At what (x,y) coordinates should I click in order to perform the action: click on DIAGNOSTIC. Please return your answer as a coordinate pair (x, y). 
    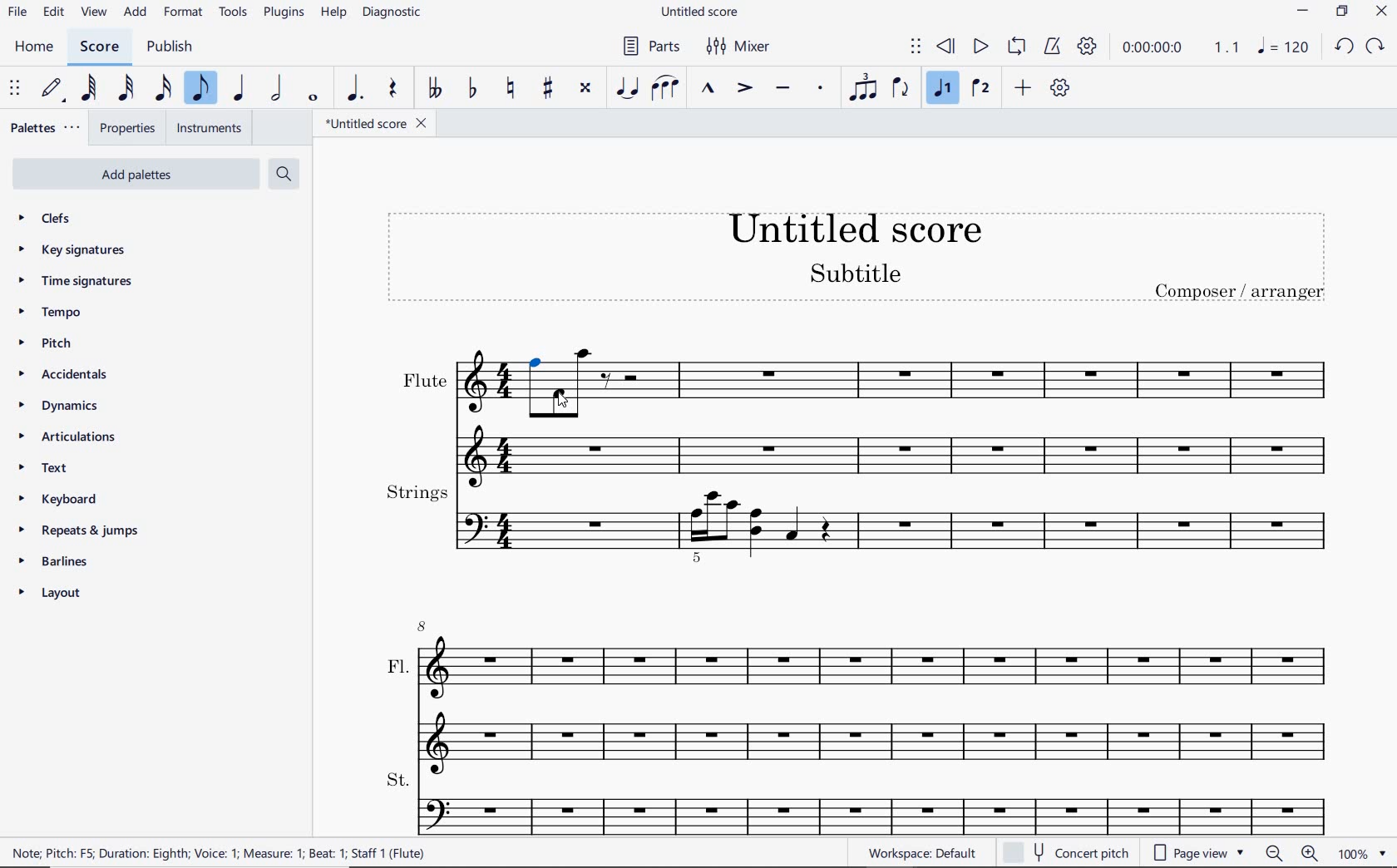
    Looking at the image, I should click on (395, 13).